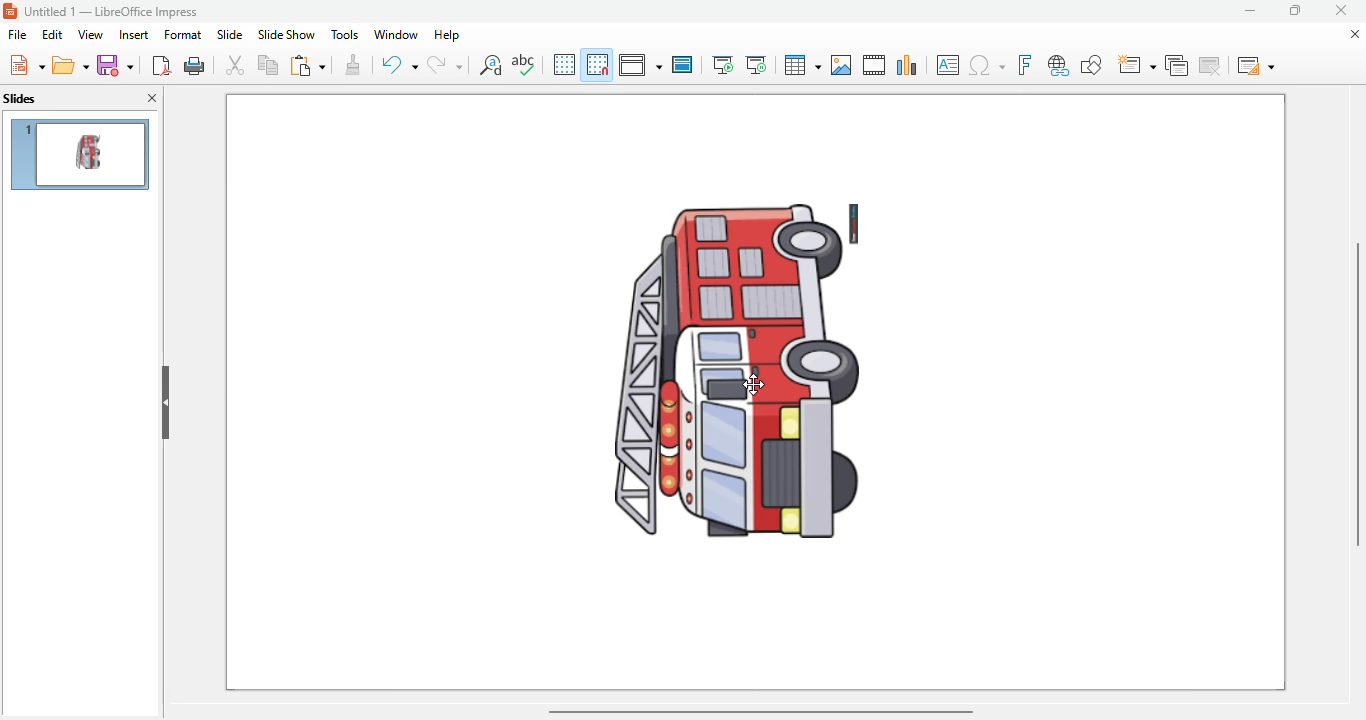  What do you see at coordinates (444, 64) in the screenshot?
I see `redo` at bounding box center [444, 64].